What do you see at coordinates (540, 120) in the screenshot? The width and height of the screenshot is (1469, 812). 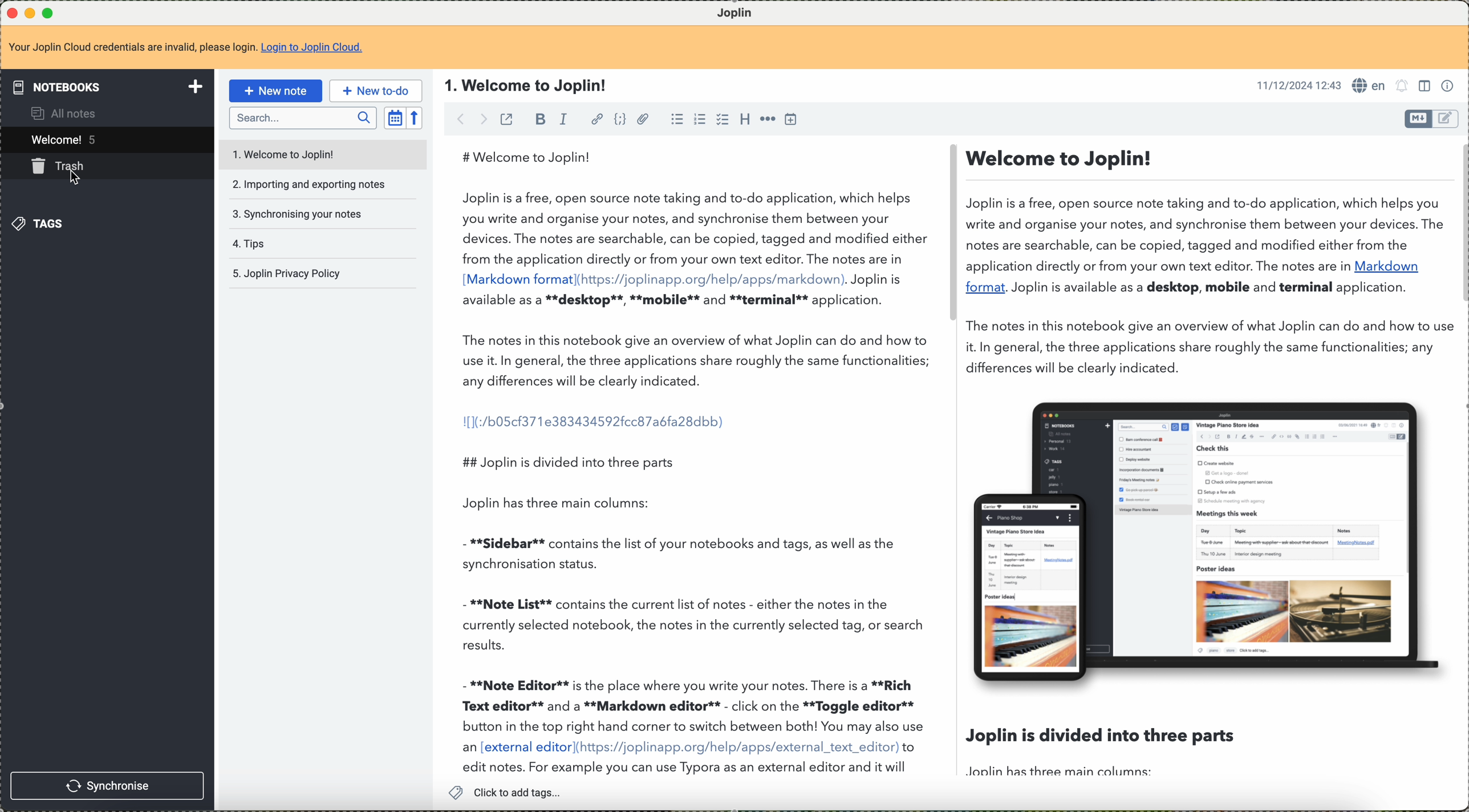 I see `bold` at bounding box center [540, 120].